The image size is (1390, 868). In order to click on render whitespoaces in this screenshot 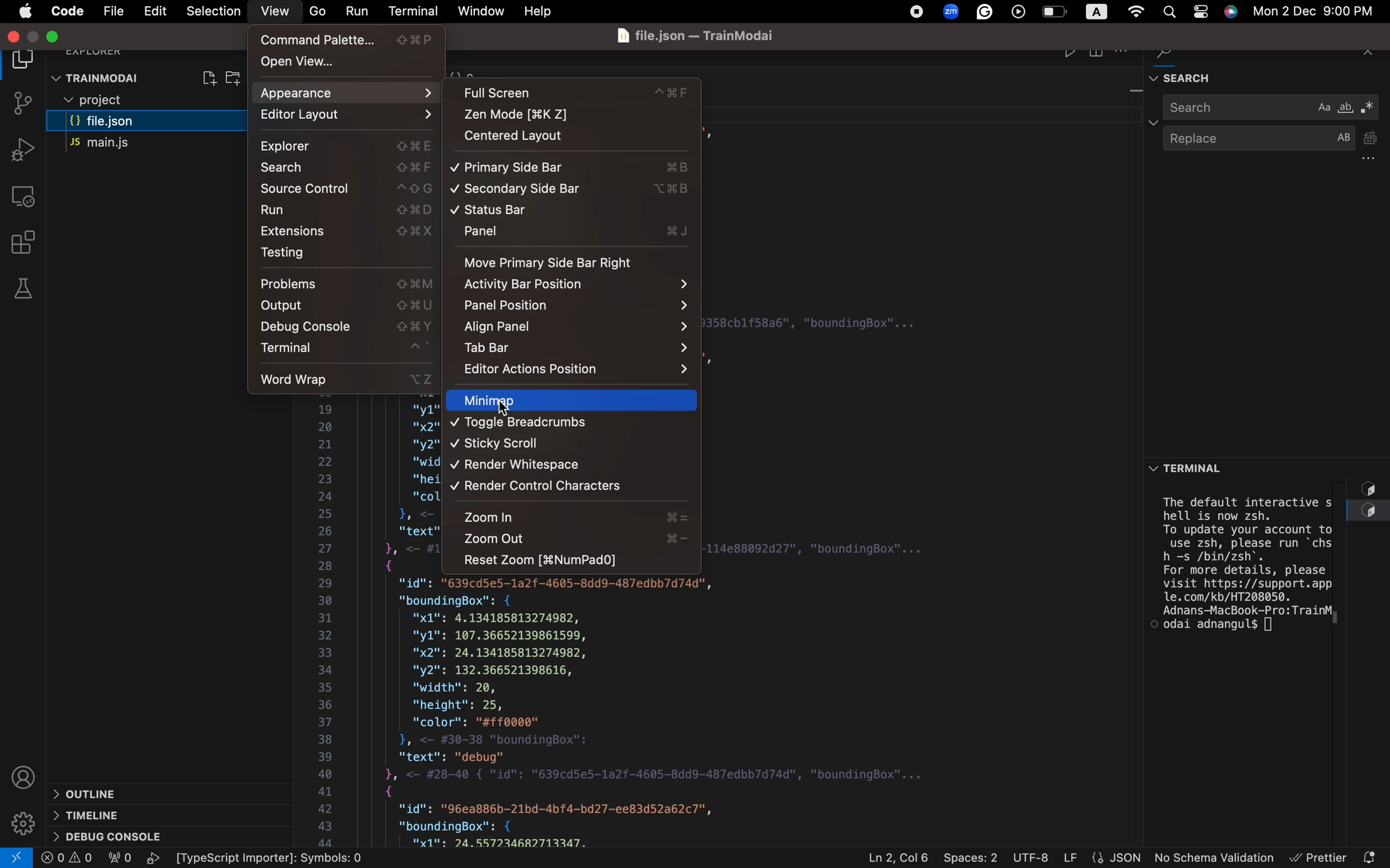, I will do `click(570, 462)`.